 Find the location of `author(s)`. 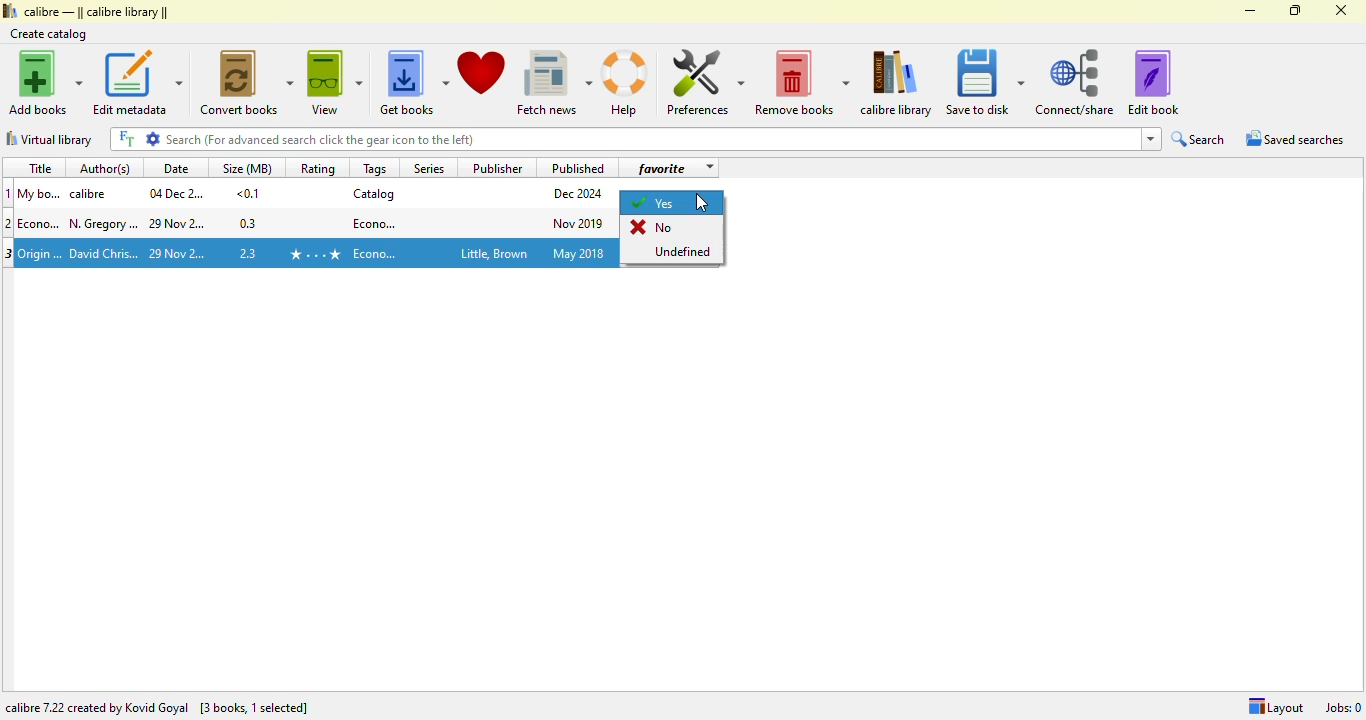

author(s) is located at coordinates (108, 167).